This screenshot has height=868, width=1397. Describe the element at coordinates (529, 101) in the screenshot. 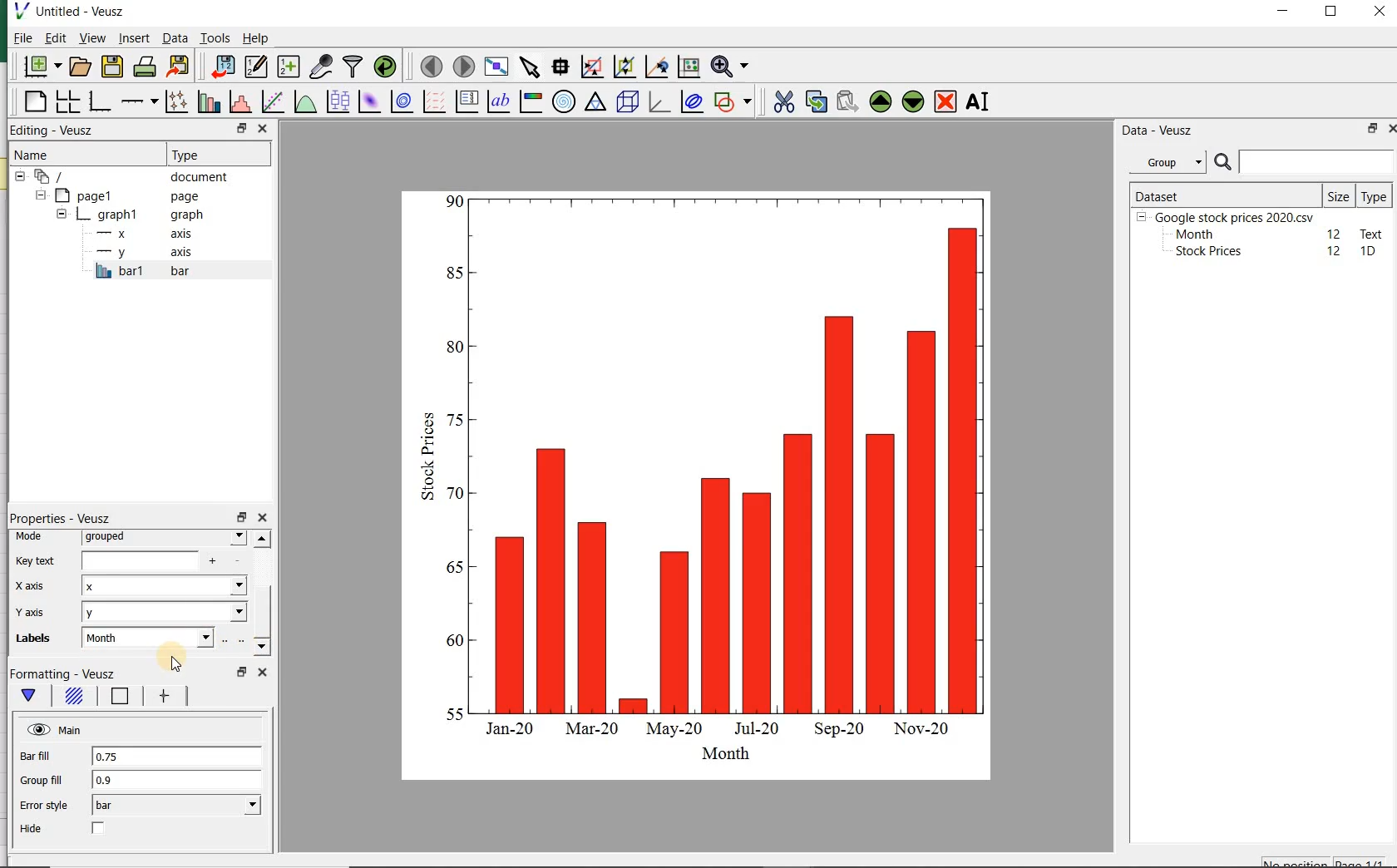

I see `image color bar` at that location.